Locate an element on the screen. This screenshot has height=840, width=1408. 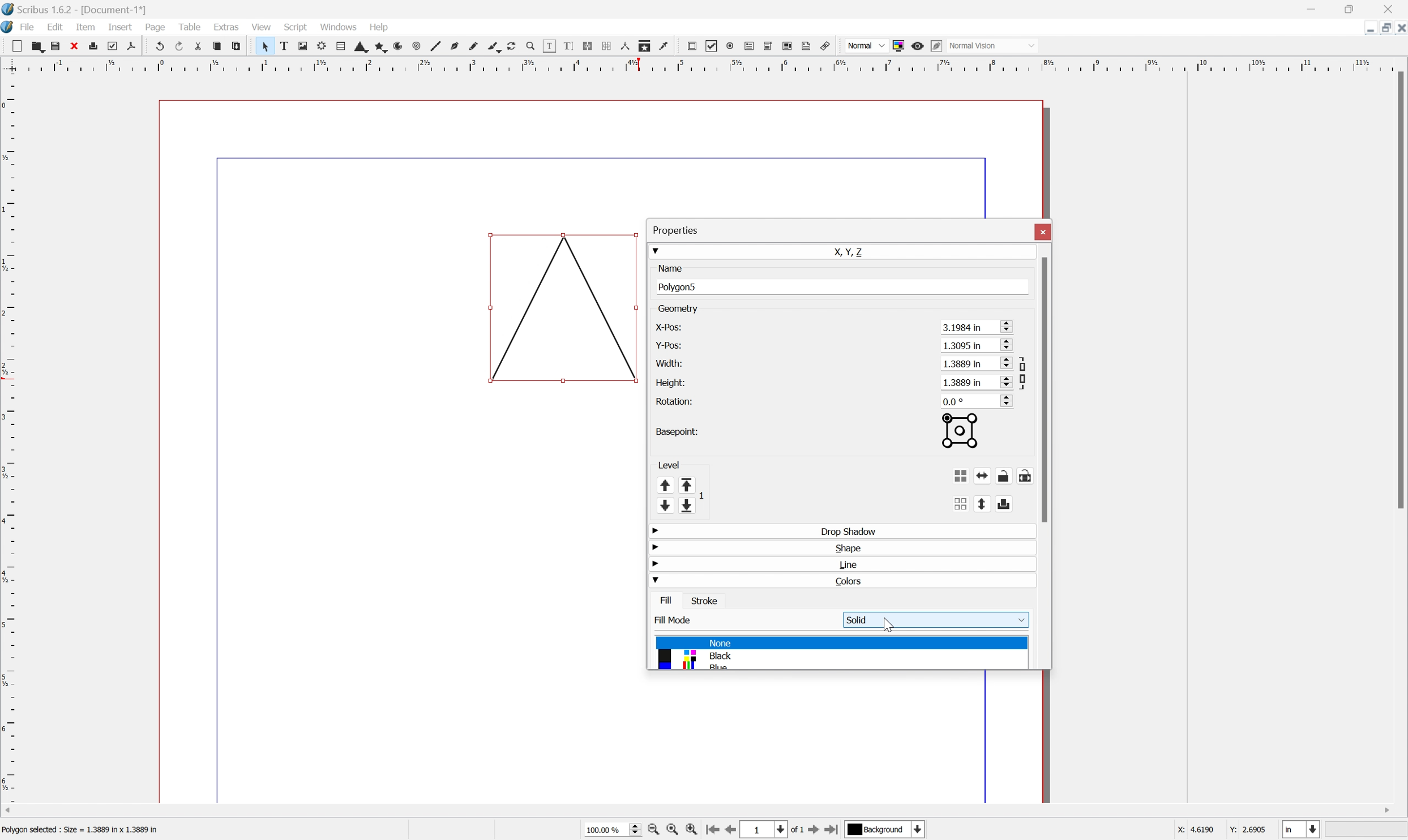
Preview mode is located at coordinates (917, 46).